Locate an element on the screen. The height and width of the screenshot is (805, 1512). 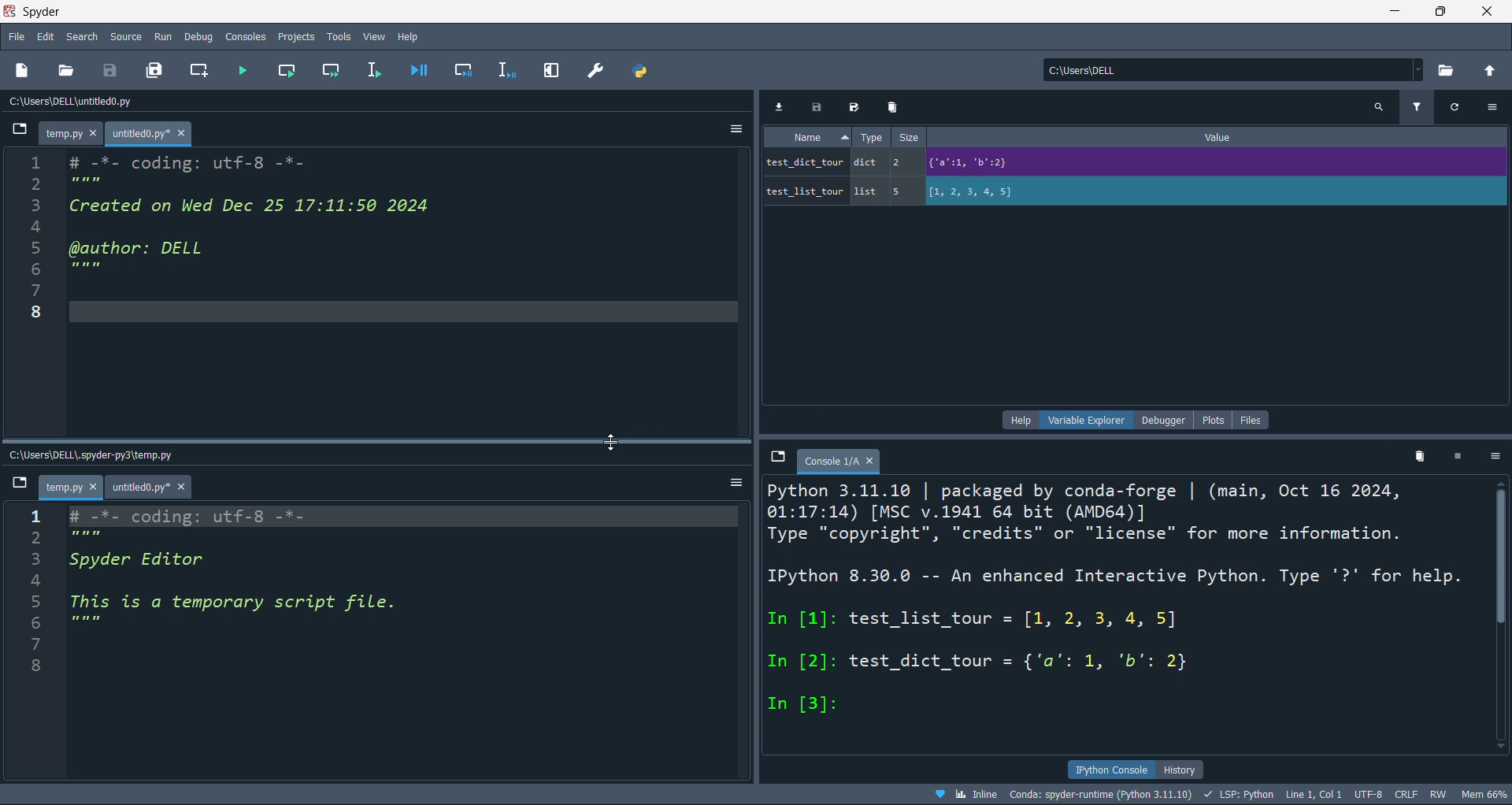
3 Created on Wed Dec 25 17:11:50 2024 is located at coordinates (240, 206).